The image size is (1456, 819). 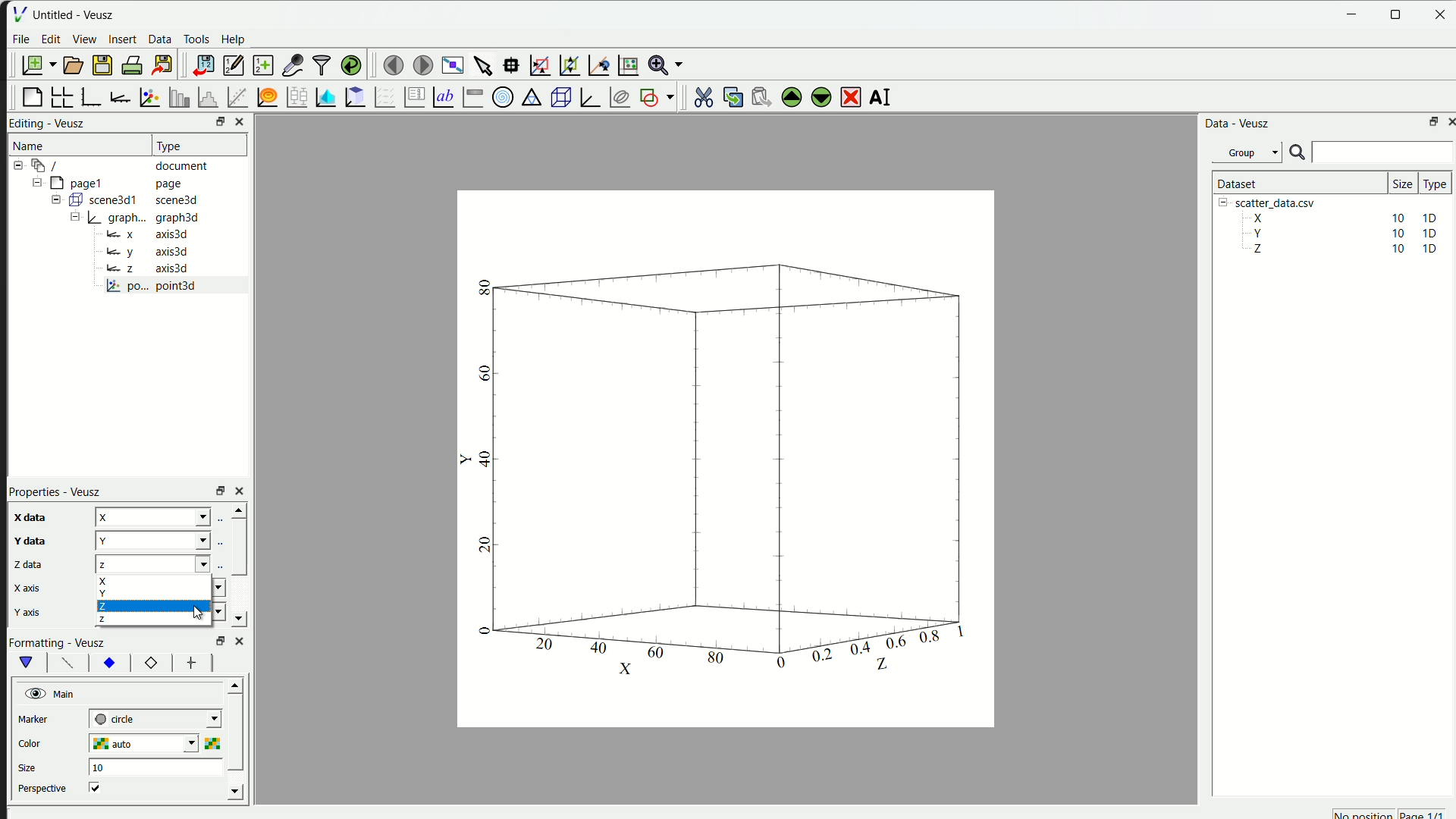 I want to click on Properties - Veusz, so click(x=55, y=491).